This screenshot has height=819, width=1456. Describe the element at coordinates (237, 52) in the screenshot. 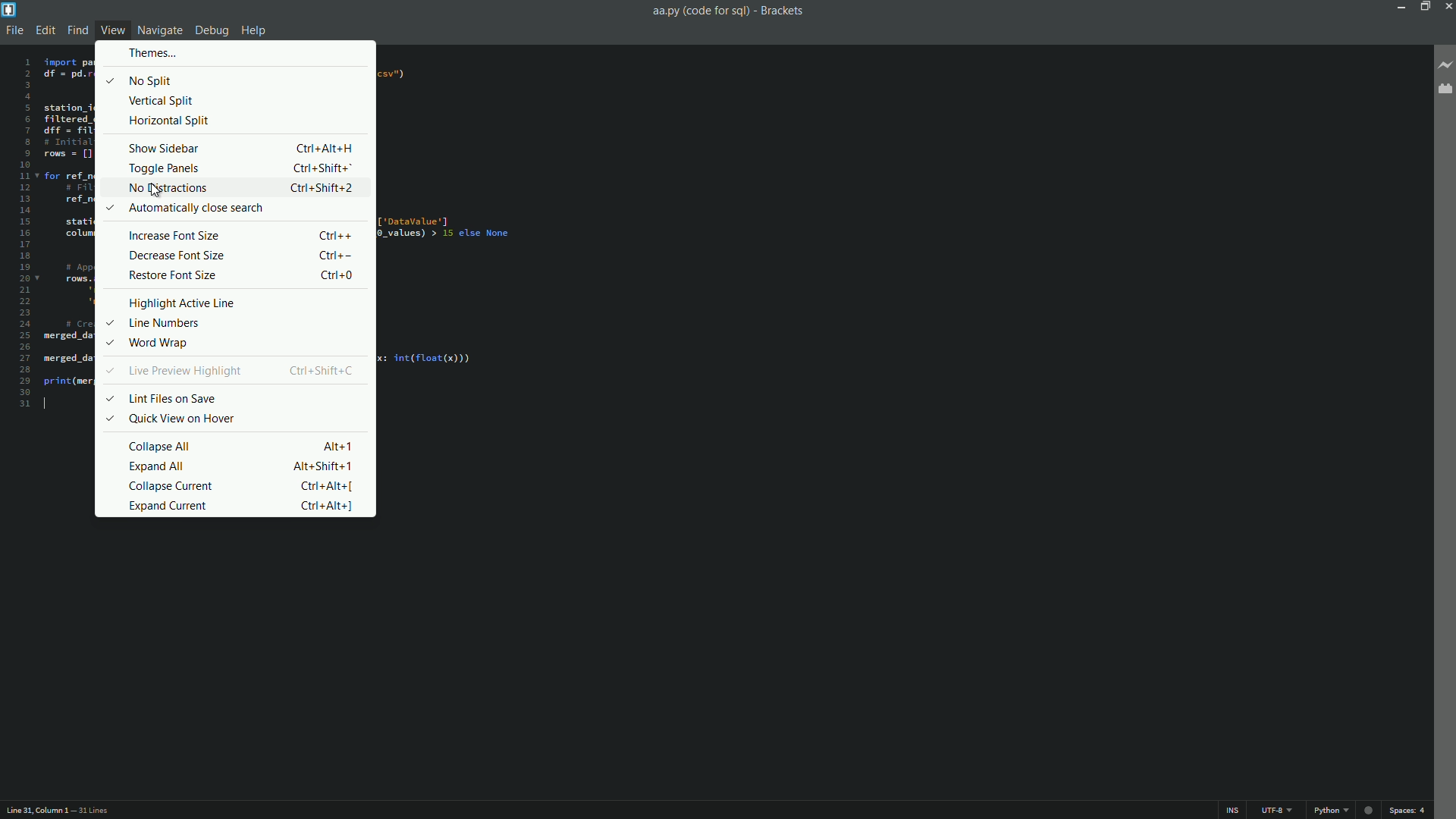

I see `themes` at that location.